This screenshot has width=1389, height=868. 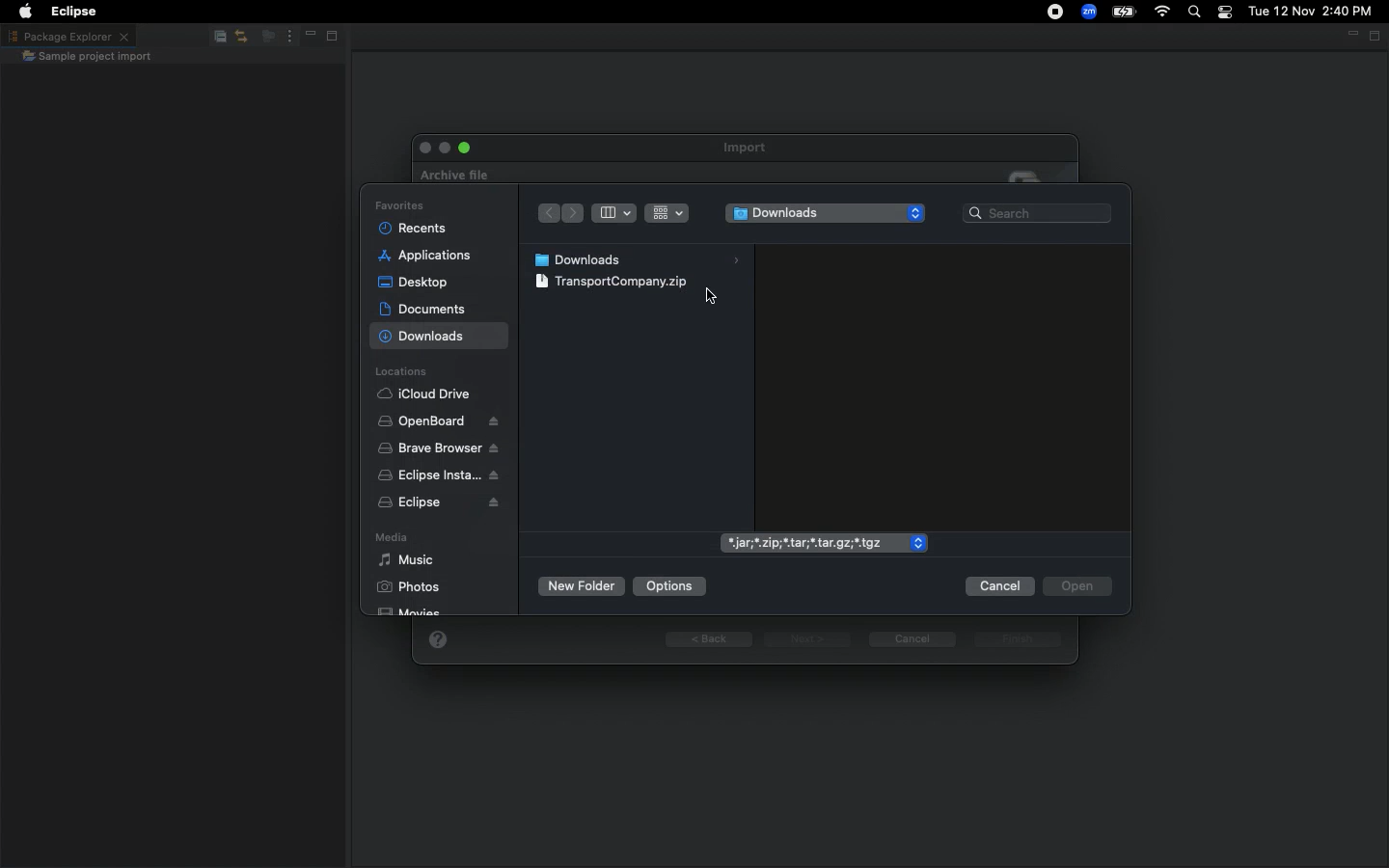 What do you see at coordinates (216, 40) in the screenshot?
I see `Collapse all` at bounding box center [216, 40].